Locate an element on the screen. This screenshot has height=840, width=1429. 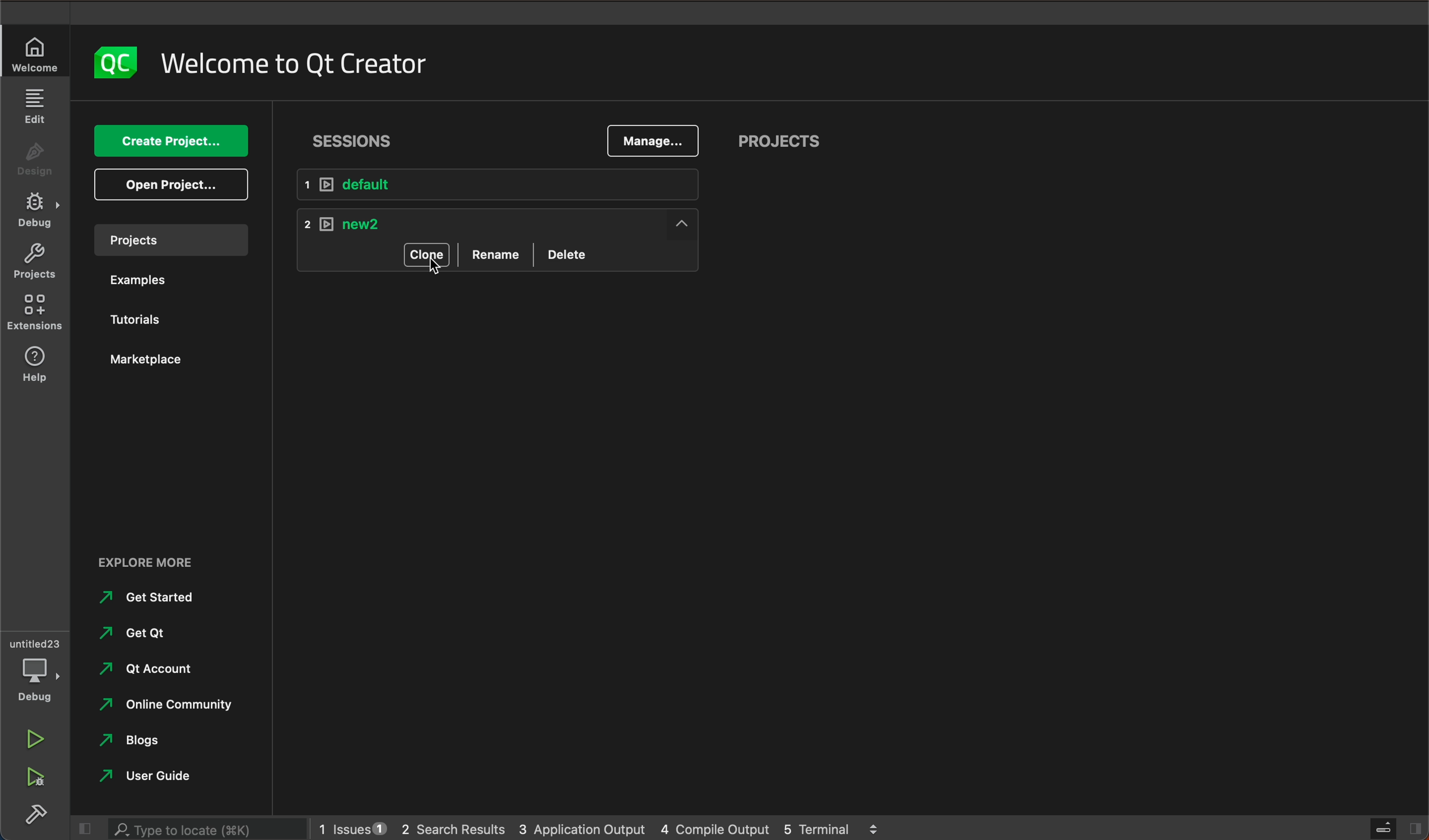
projects is located at coordinates (35, 262).